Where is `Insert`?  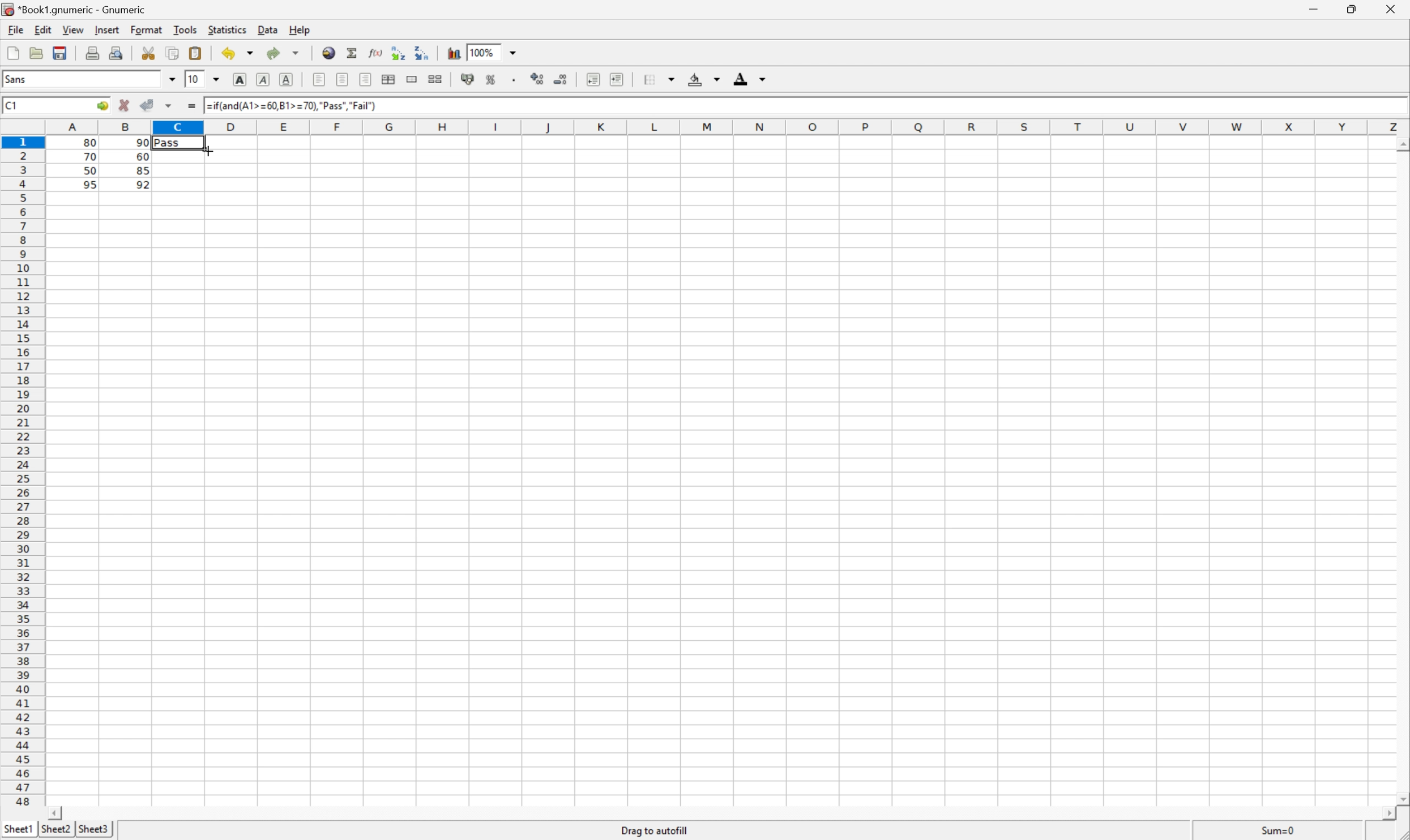 Insert is located at coordinates (108, 31).